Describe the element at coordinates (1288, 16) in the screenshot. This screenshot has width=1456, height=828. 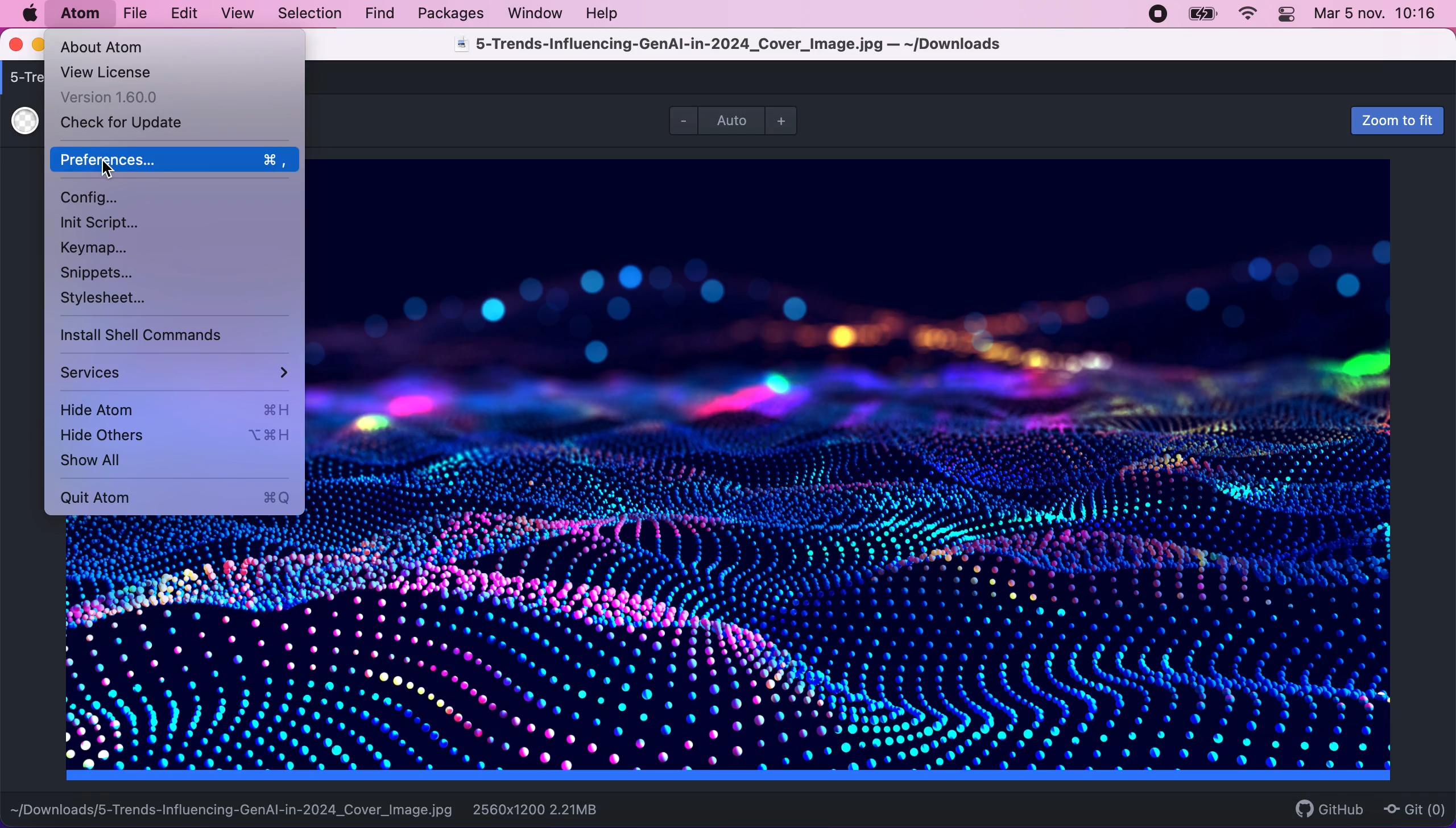
I see `control panel` at that location.